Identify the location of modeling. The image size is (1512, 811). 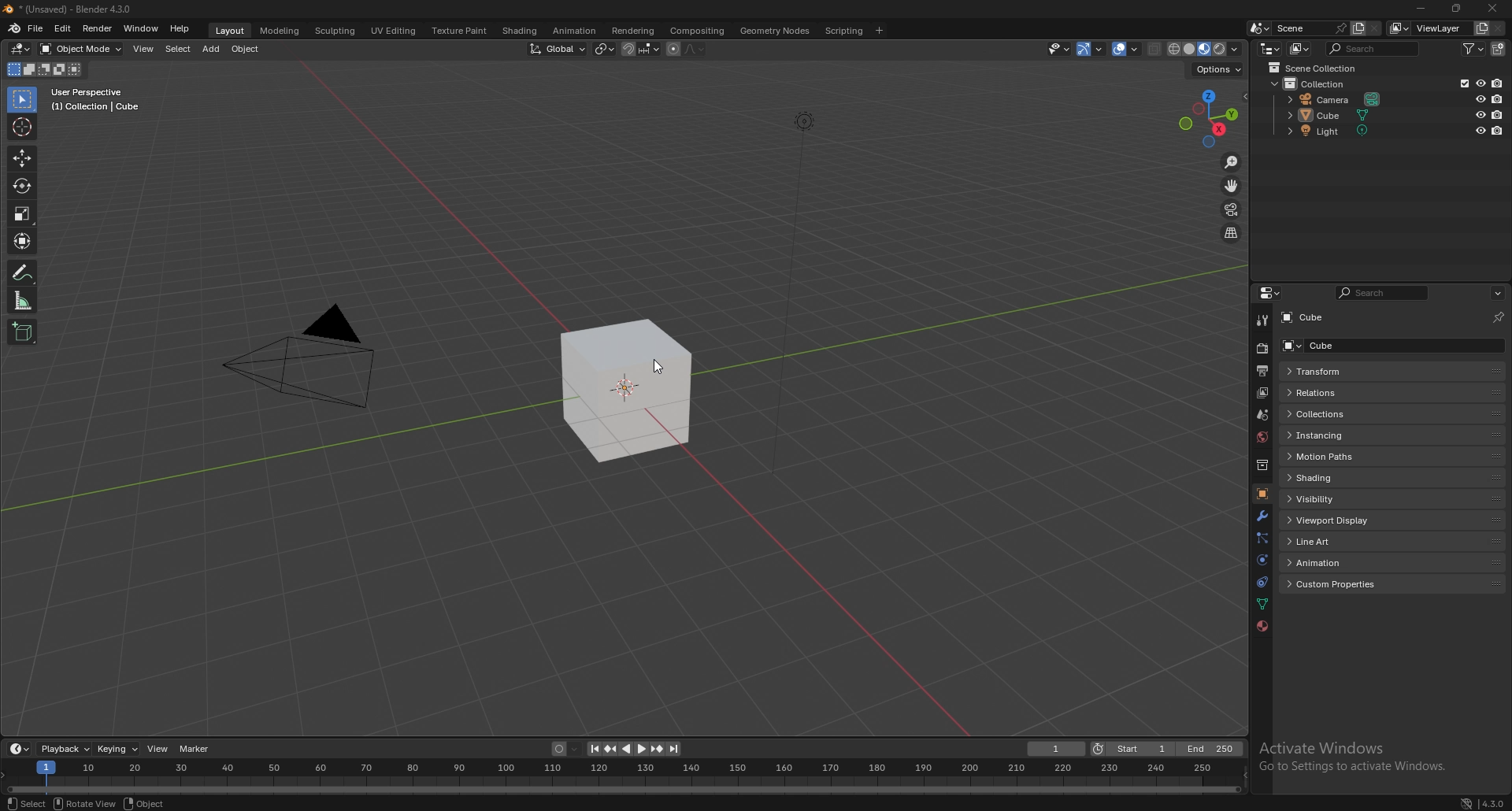
(280, 30).